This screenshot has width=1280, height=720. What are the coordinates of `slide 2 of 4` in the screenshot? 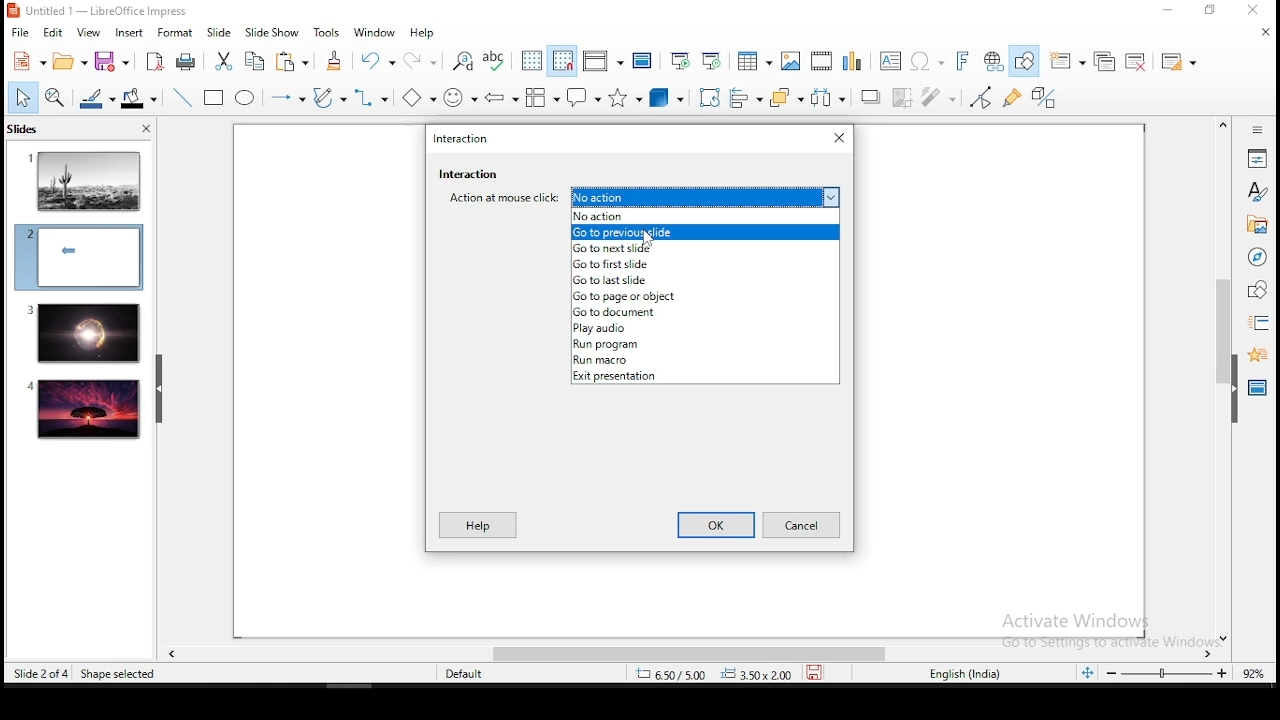 It's located at (41, 674).